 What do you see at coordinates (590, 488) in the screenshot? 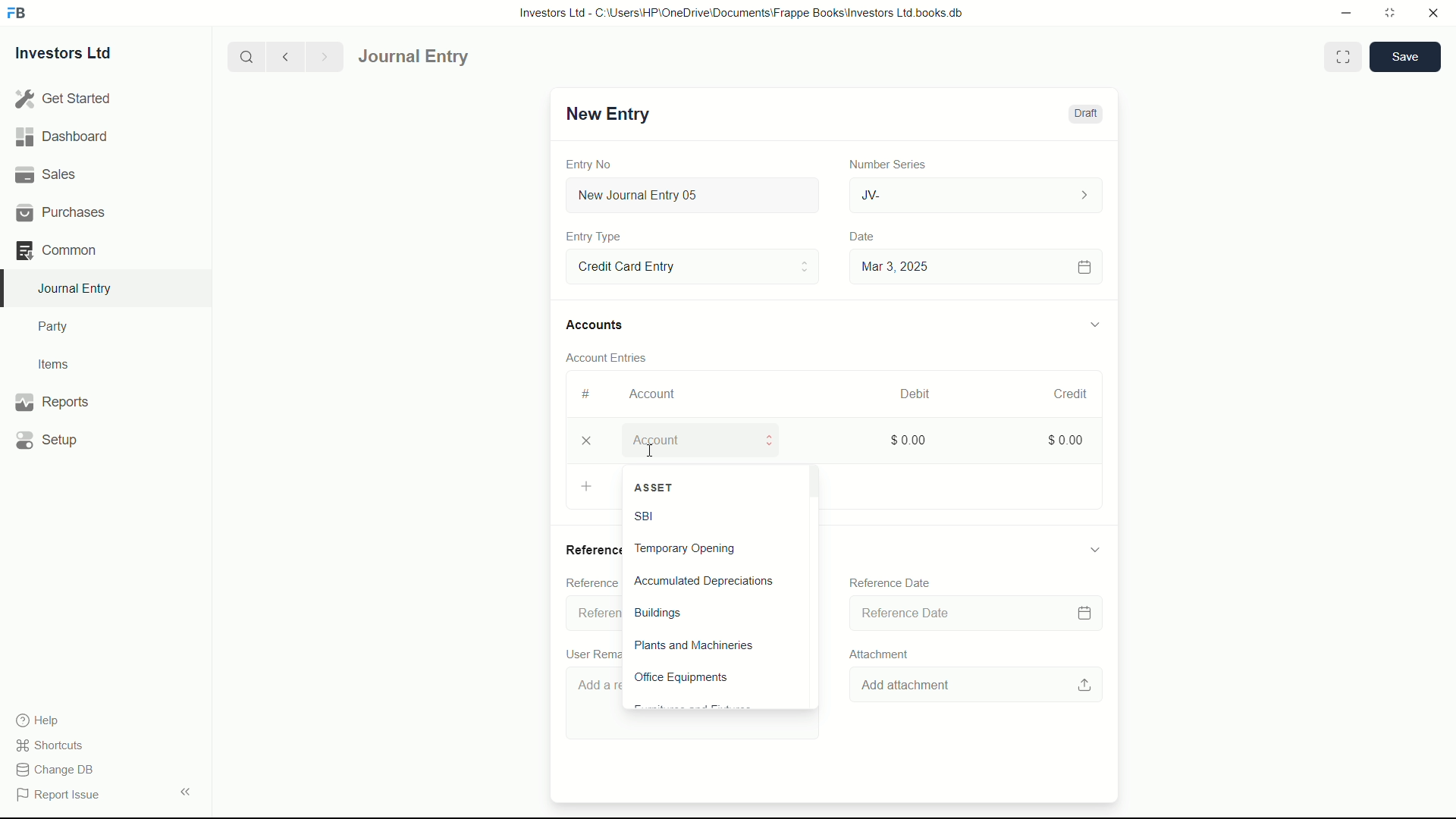
I see `Aad Row` at bounding box center [590, 488].